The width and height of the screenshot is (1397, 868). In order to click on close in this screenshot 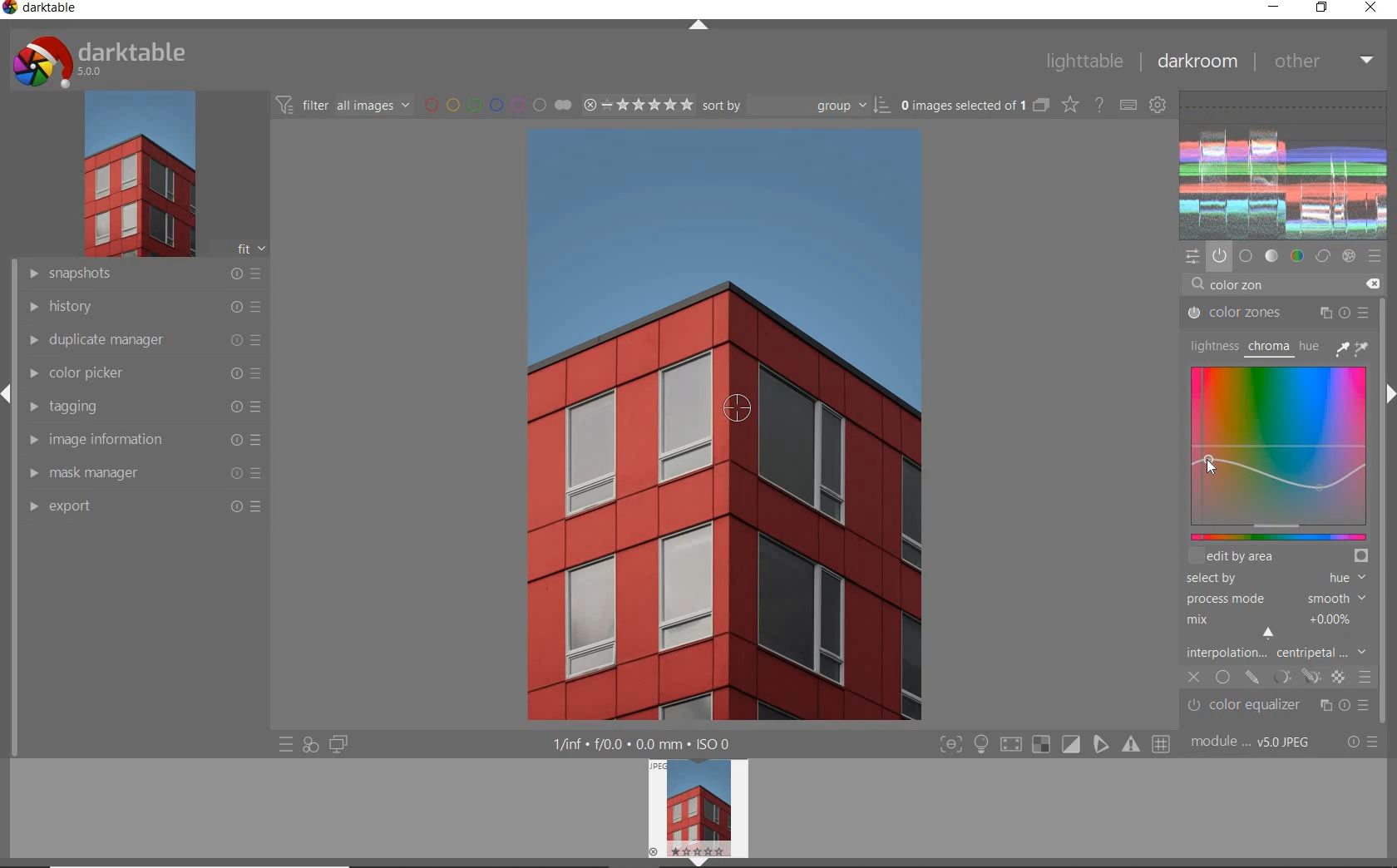, I will do `click(1371, 8)`.